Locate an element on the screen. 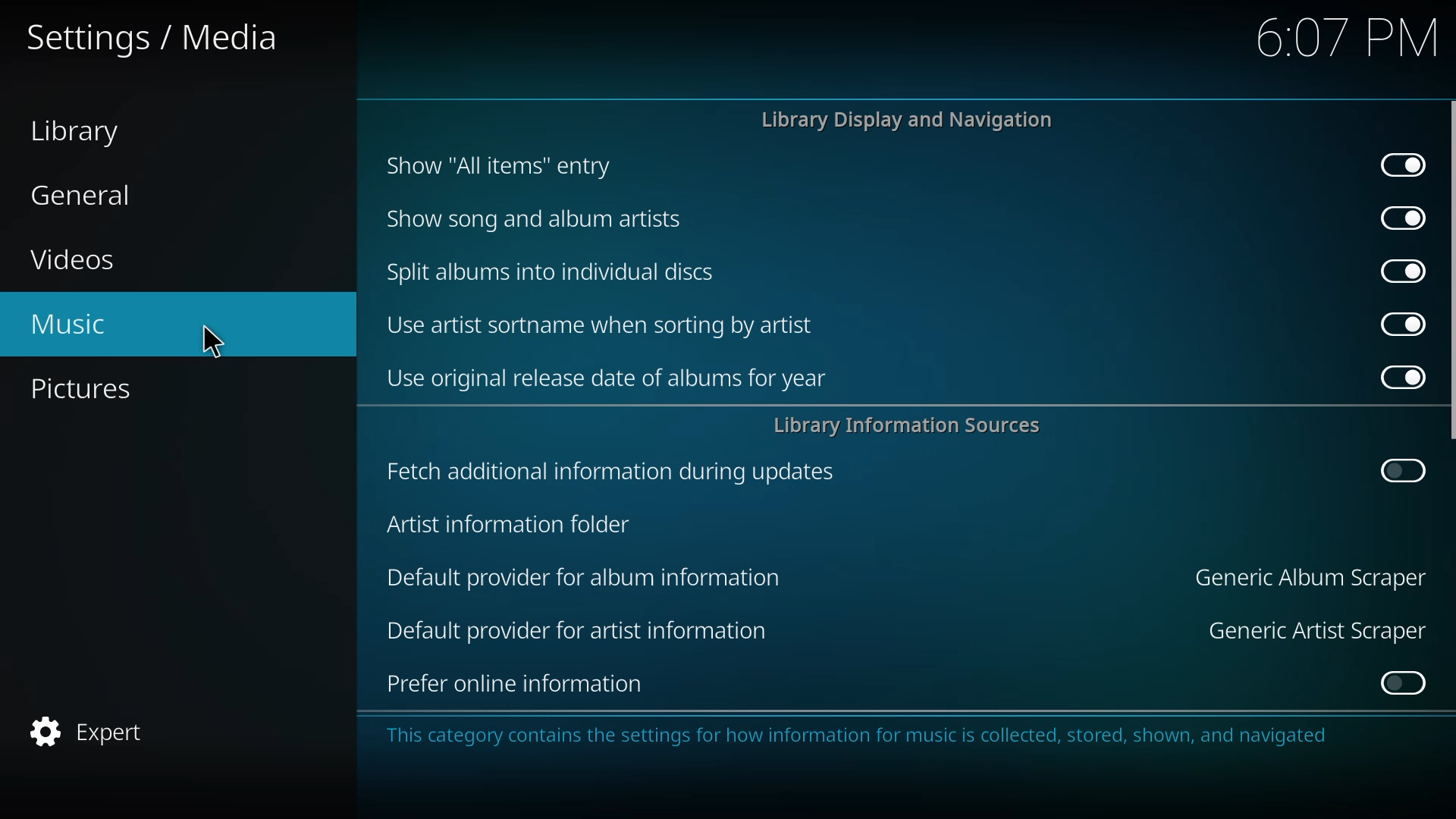  artist information  folder is located at coordinates (516, 523).